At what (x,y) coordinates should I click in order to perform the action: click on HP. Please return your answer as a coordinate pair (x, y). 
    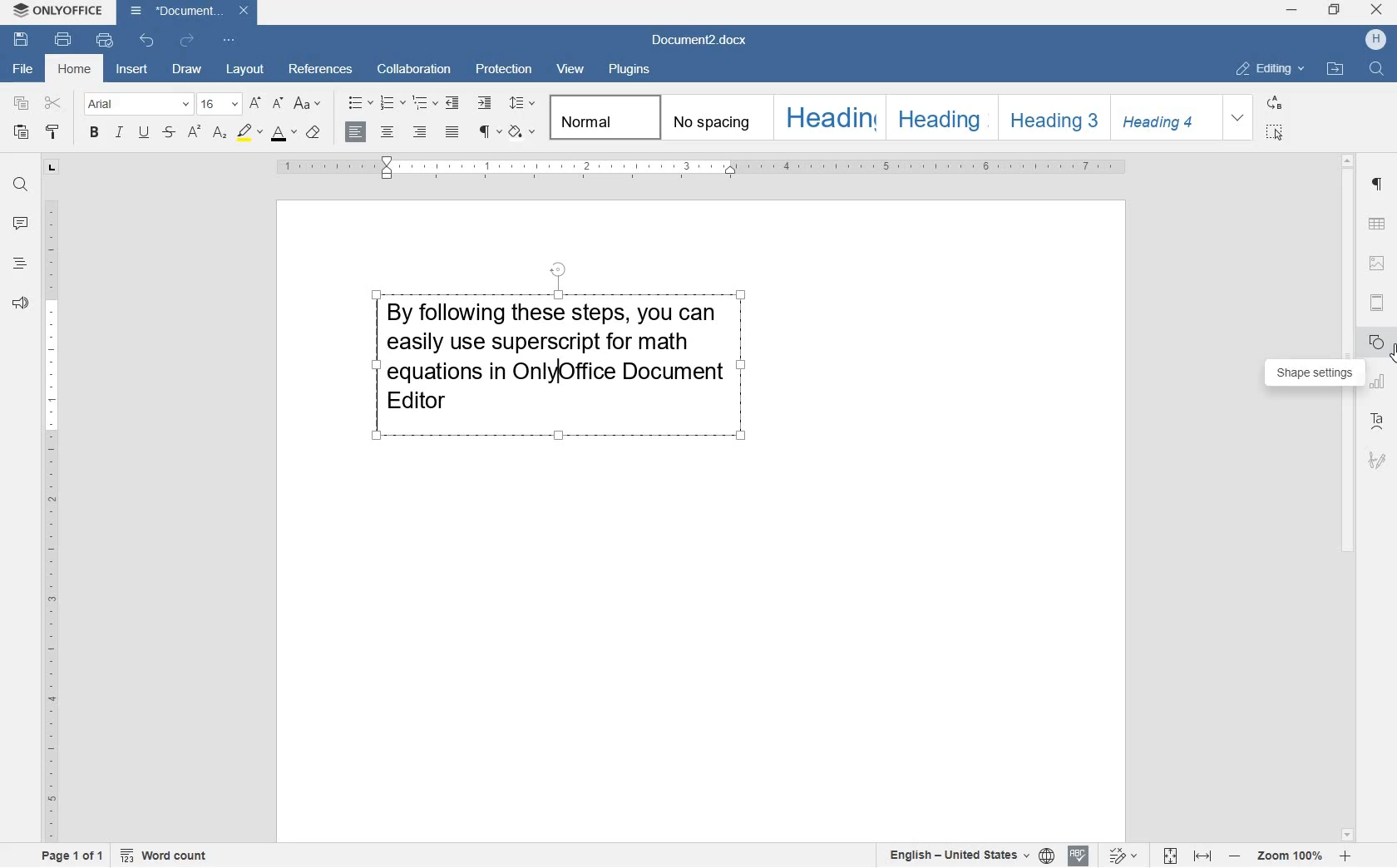
    Looking at the image, I should click on (1375, 38).